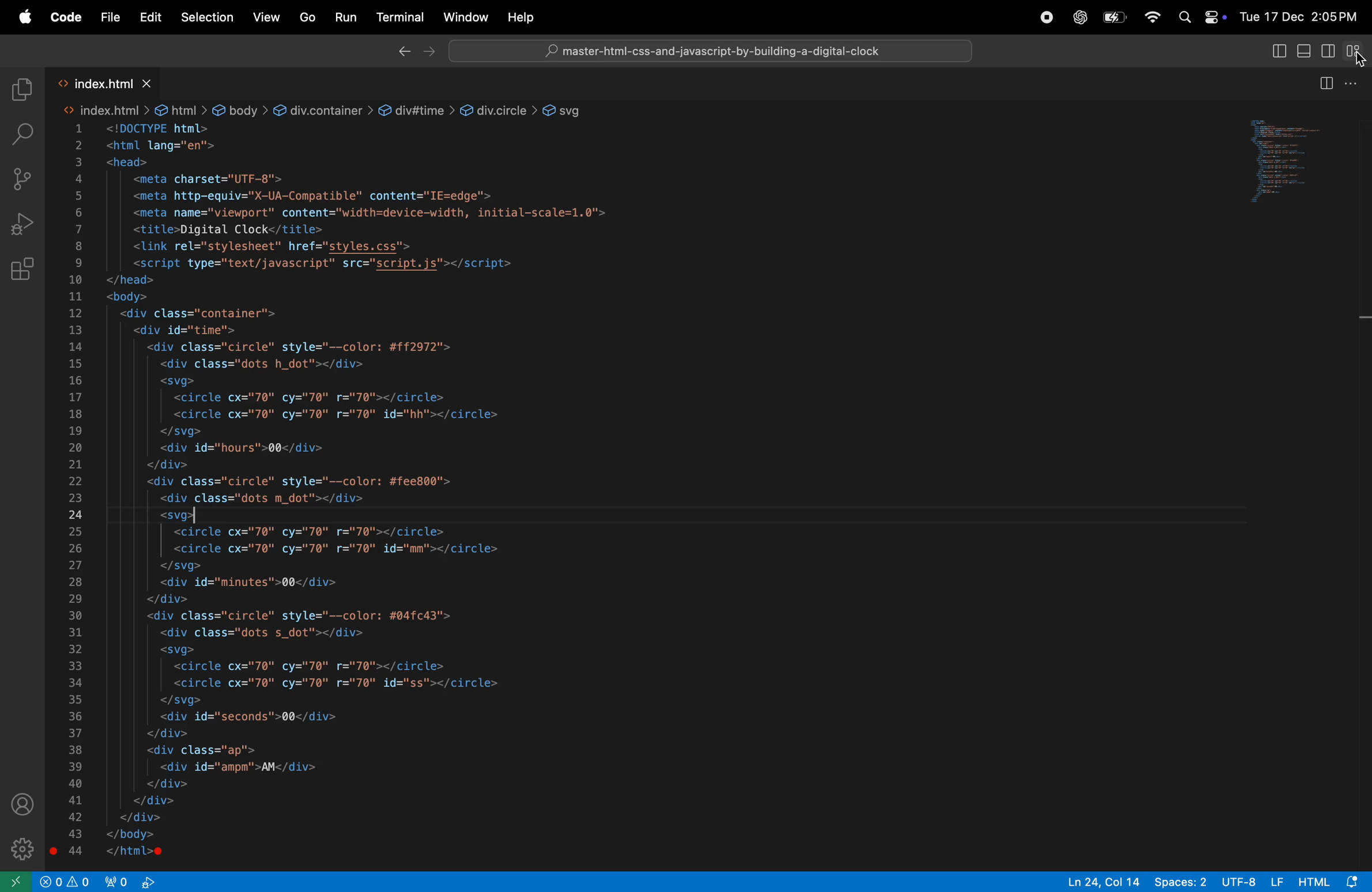 The height and width of the screenshot is (892, 1372). Describe the element at coordinates (1332, 880) in the screenshot. I see `html` at that location.